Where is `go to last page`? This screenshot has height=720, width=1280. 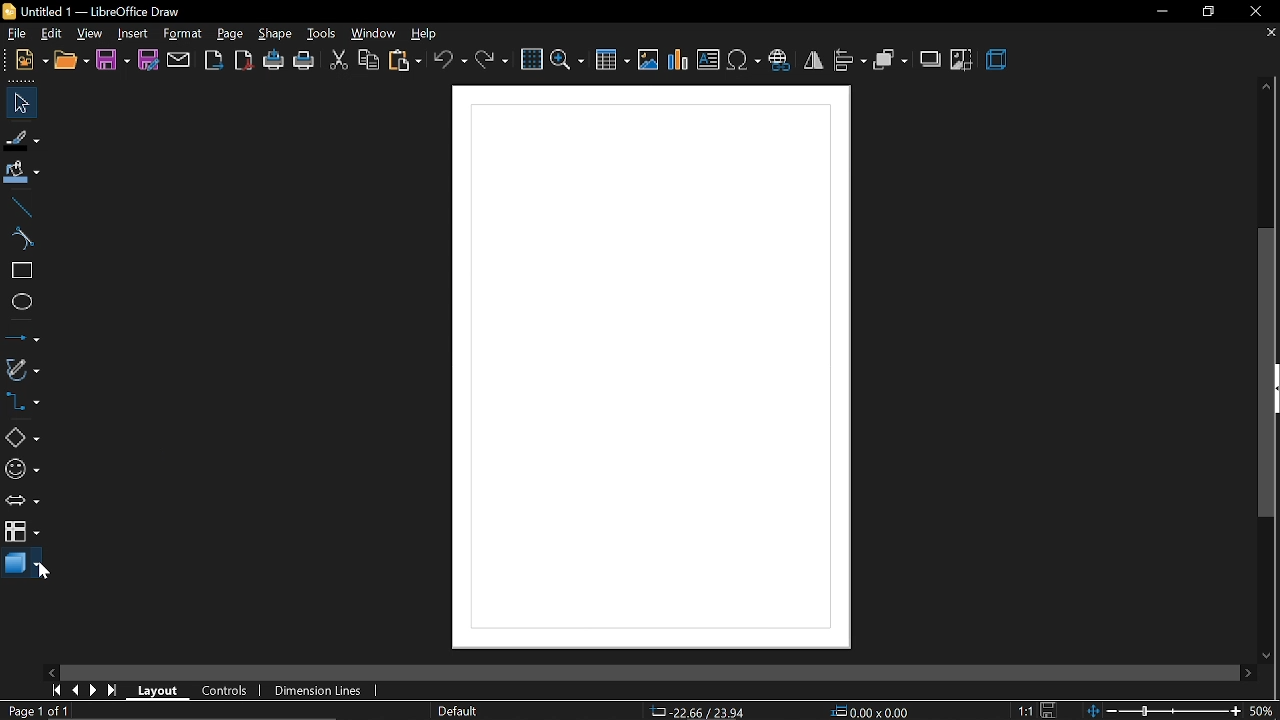
go to last page is located at coordinates (115, 692).